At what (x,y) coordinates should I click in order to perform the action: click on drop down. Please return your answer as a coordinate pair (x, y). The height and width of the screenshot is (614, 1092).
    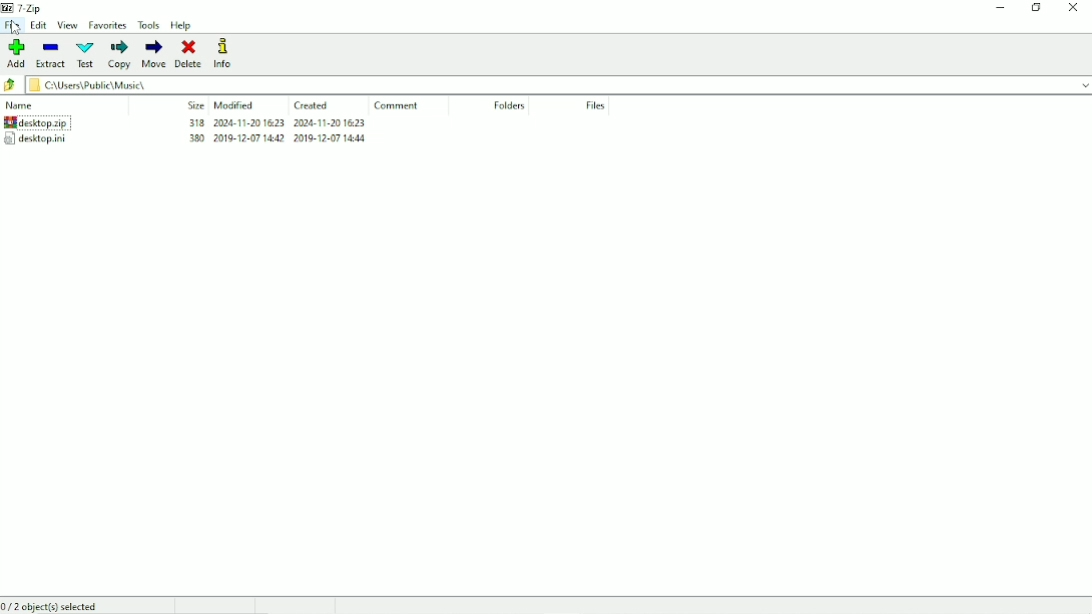
    Looking at the image, I should click on (1078, 84).